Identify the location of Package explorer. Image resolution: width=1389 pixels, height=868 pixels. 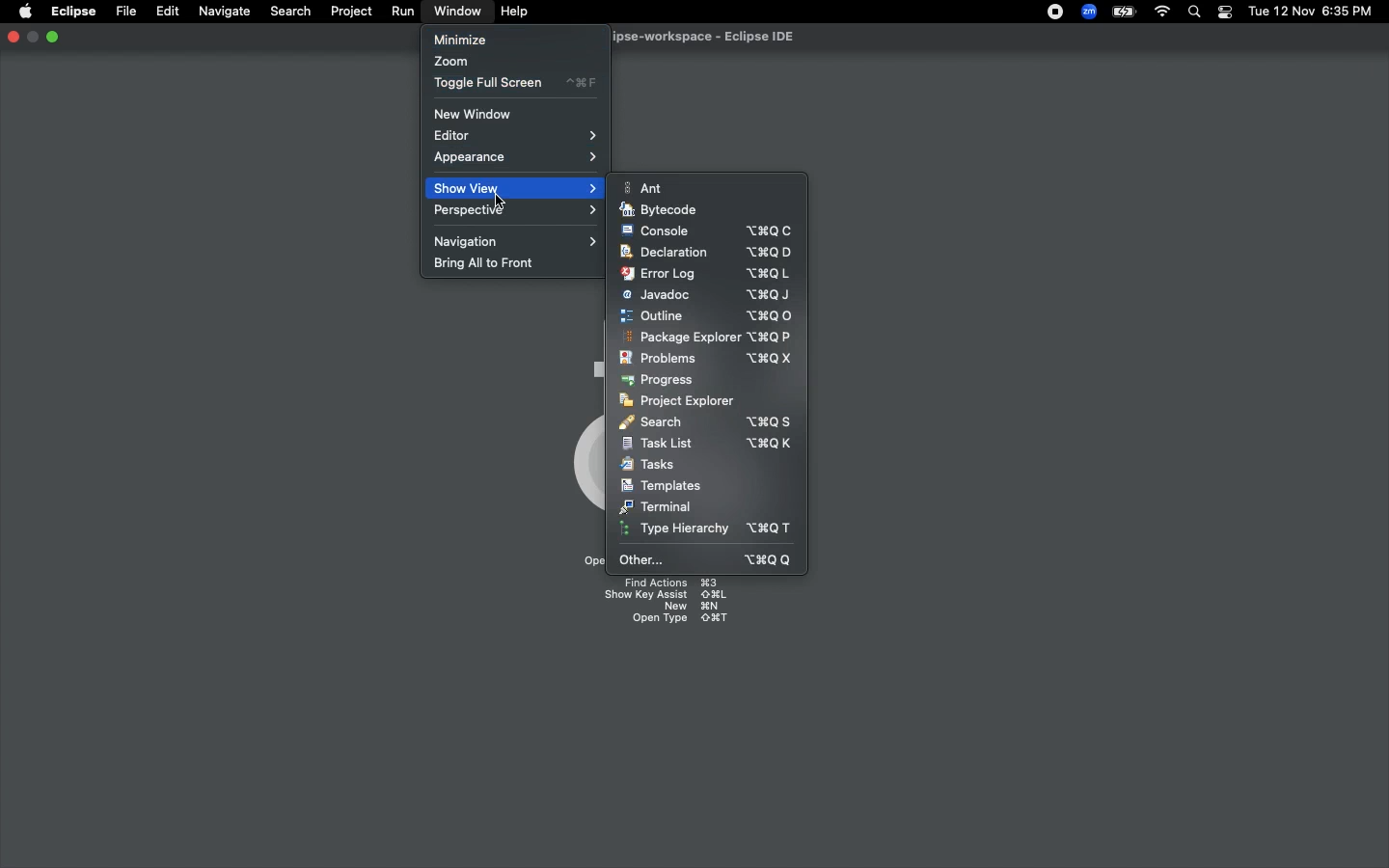
(706, 338).